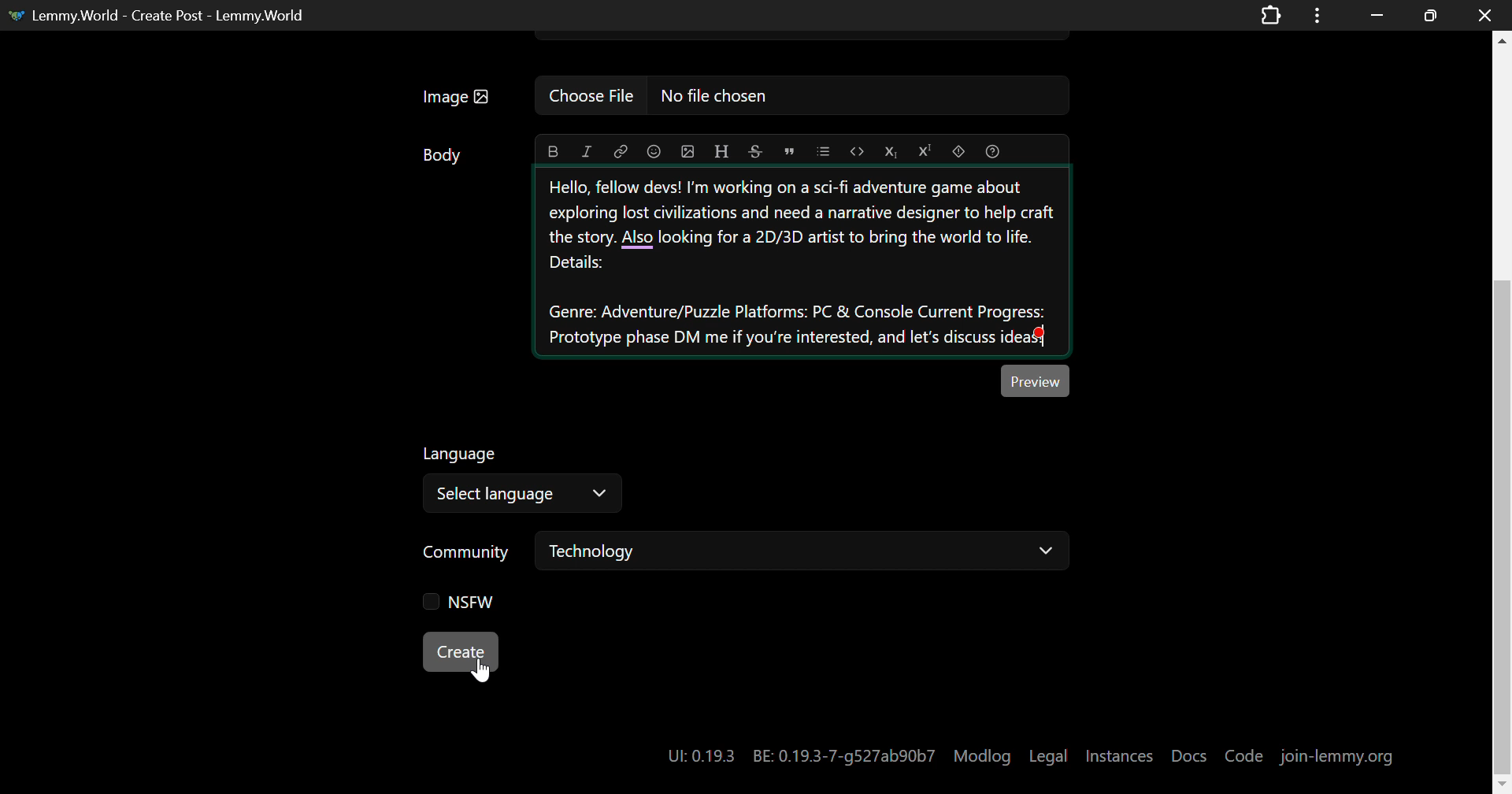 The image size is (1512, 794). I want to click on strikethrough, so click(754, 151).